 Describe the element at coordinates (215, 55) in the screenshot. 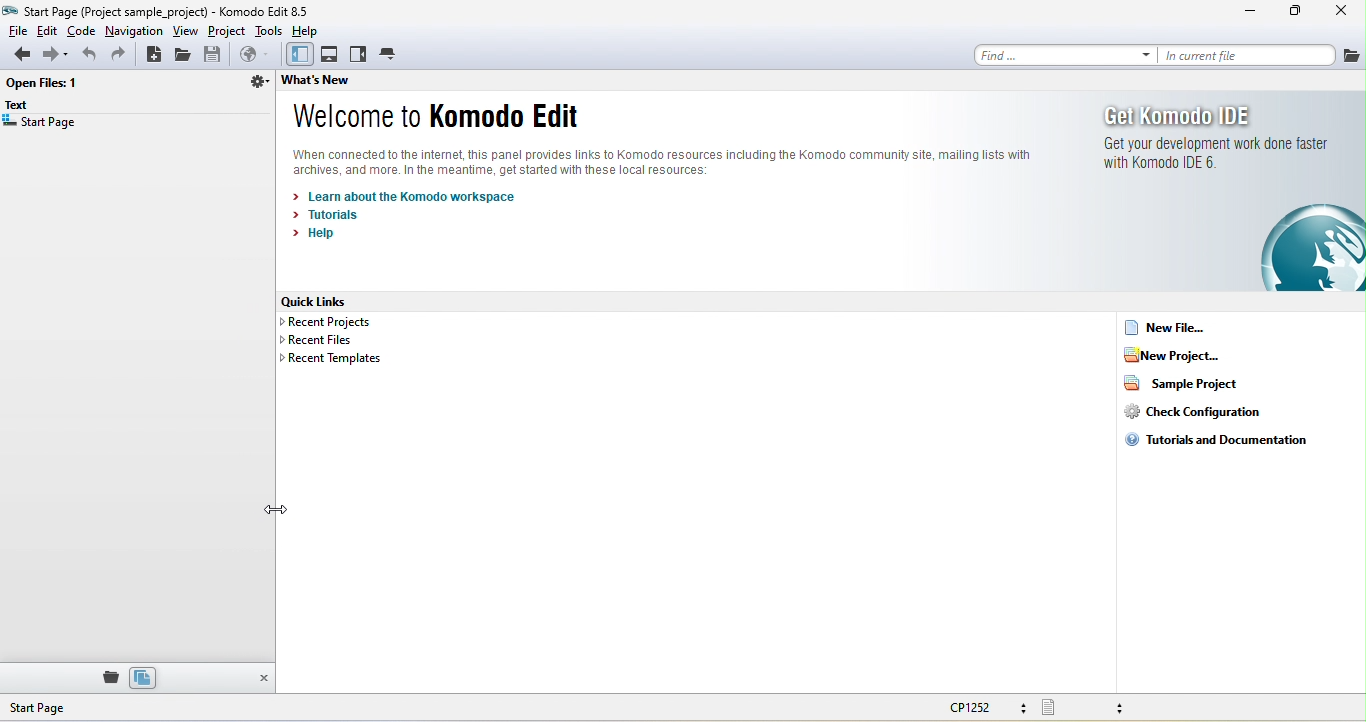

I see `save` at that location.